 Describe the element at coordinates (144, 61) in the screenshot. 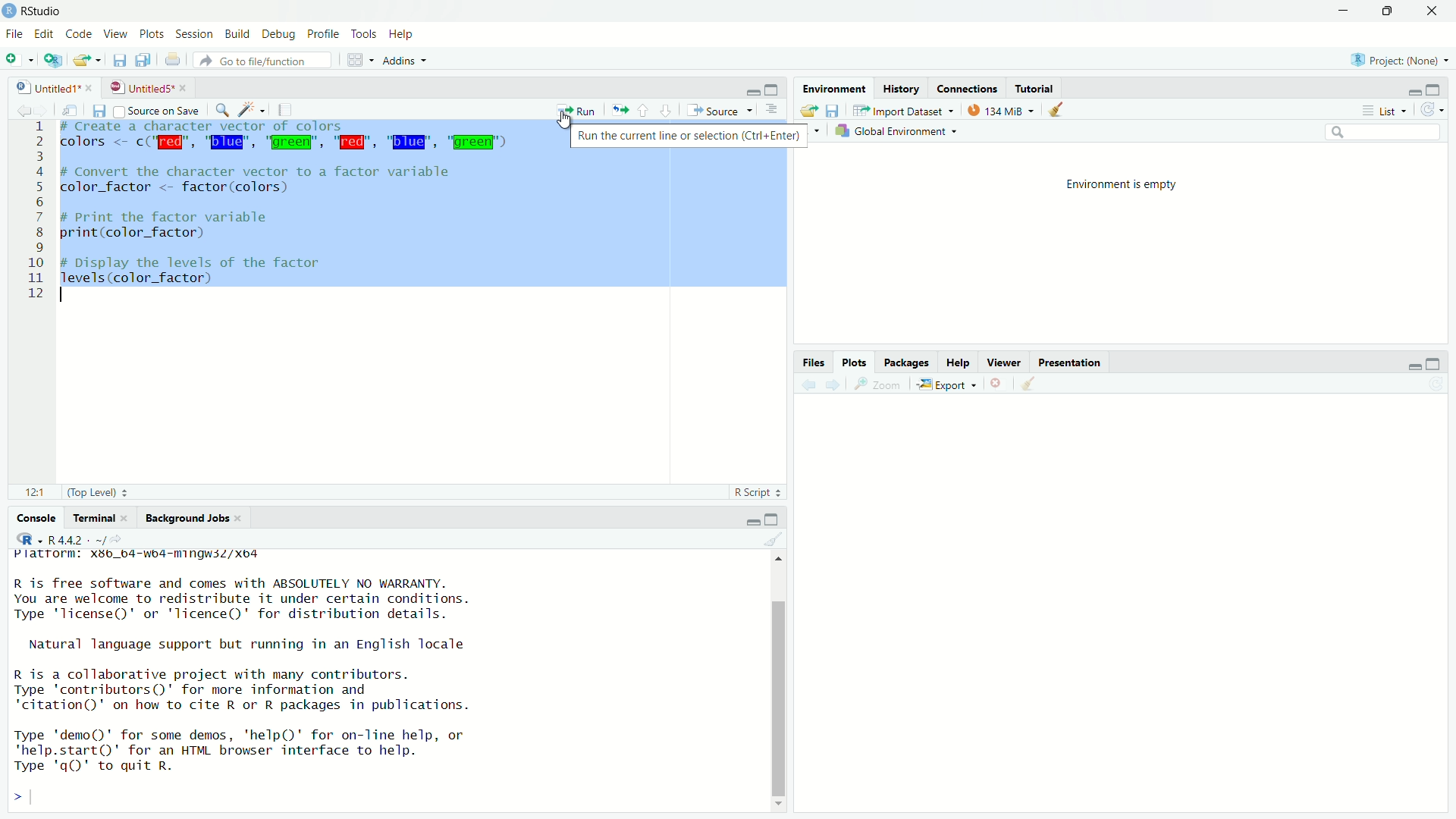

I see `save all open documents` at that location.